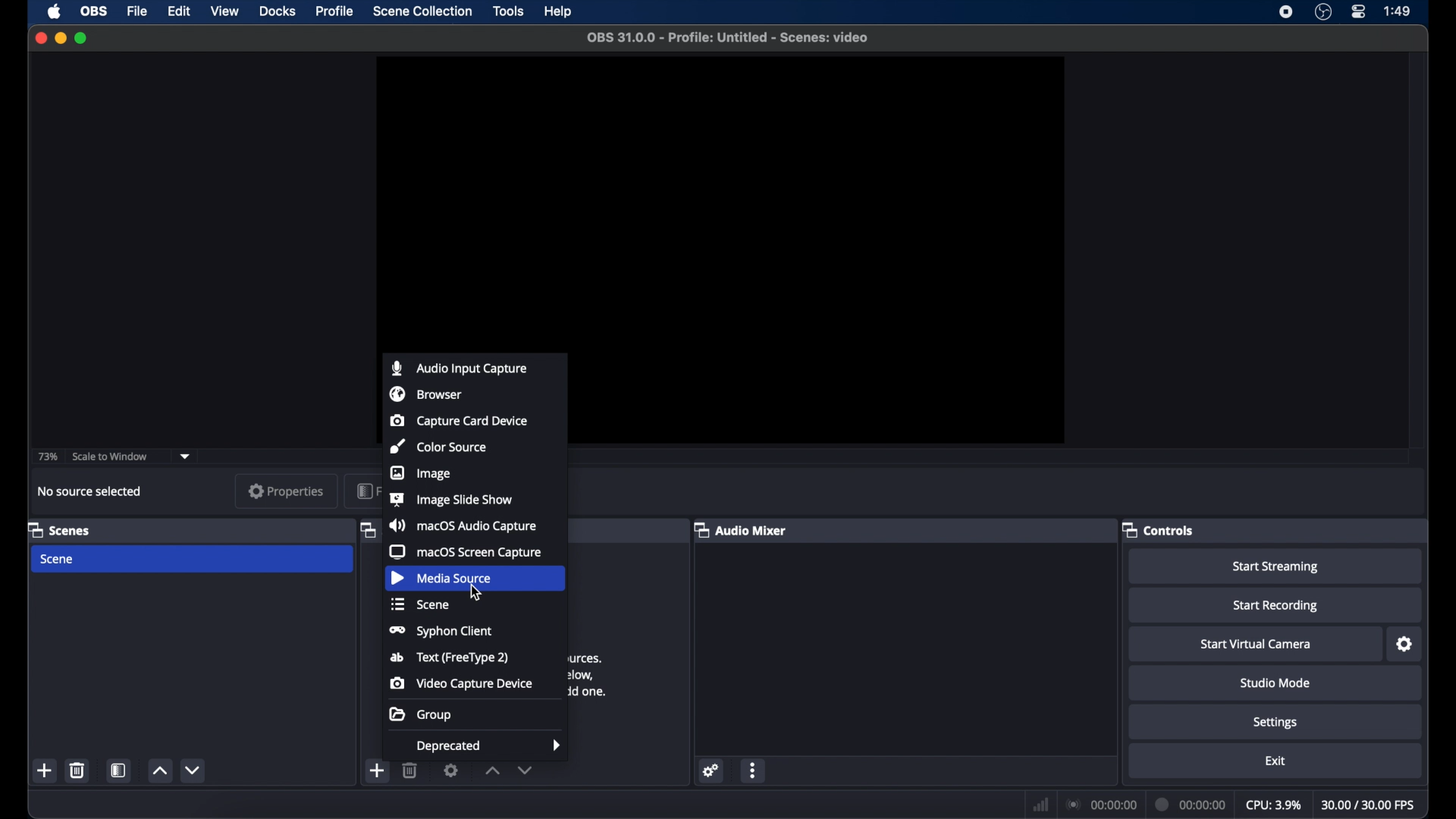 Image resolution: width=1456 pixels, height=819 pixels. What do you see at coordinates (469, 552) in the screenshot?
I see `macOS screen capture` at bounding box center [469, 552].